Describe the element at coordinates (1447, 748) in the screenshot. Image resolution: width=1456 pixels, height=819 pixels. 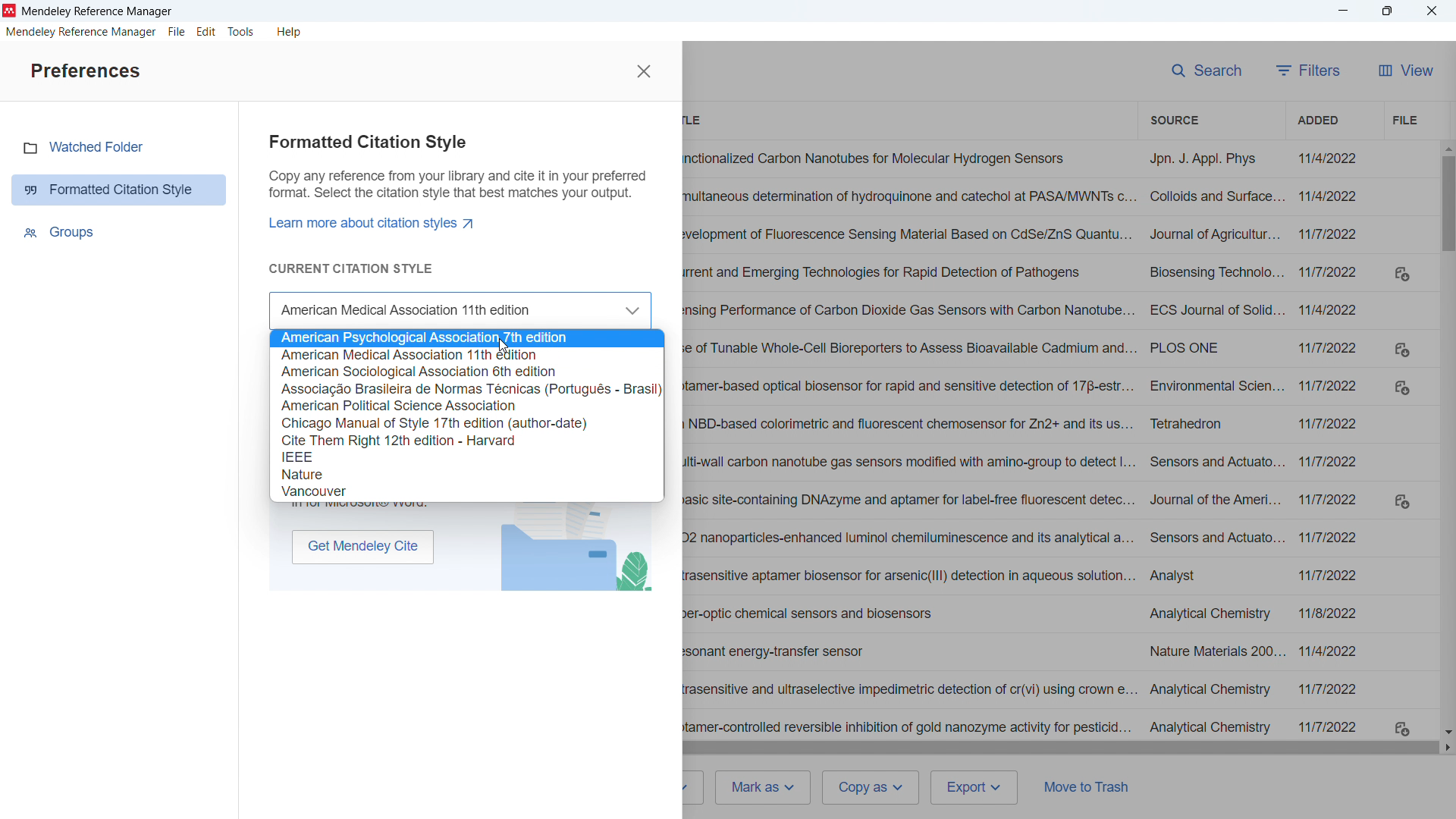
I see `Scroll right` at that location.